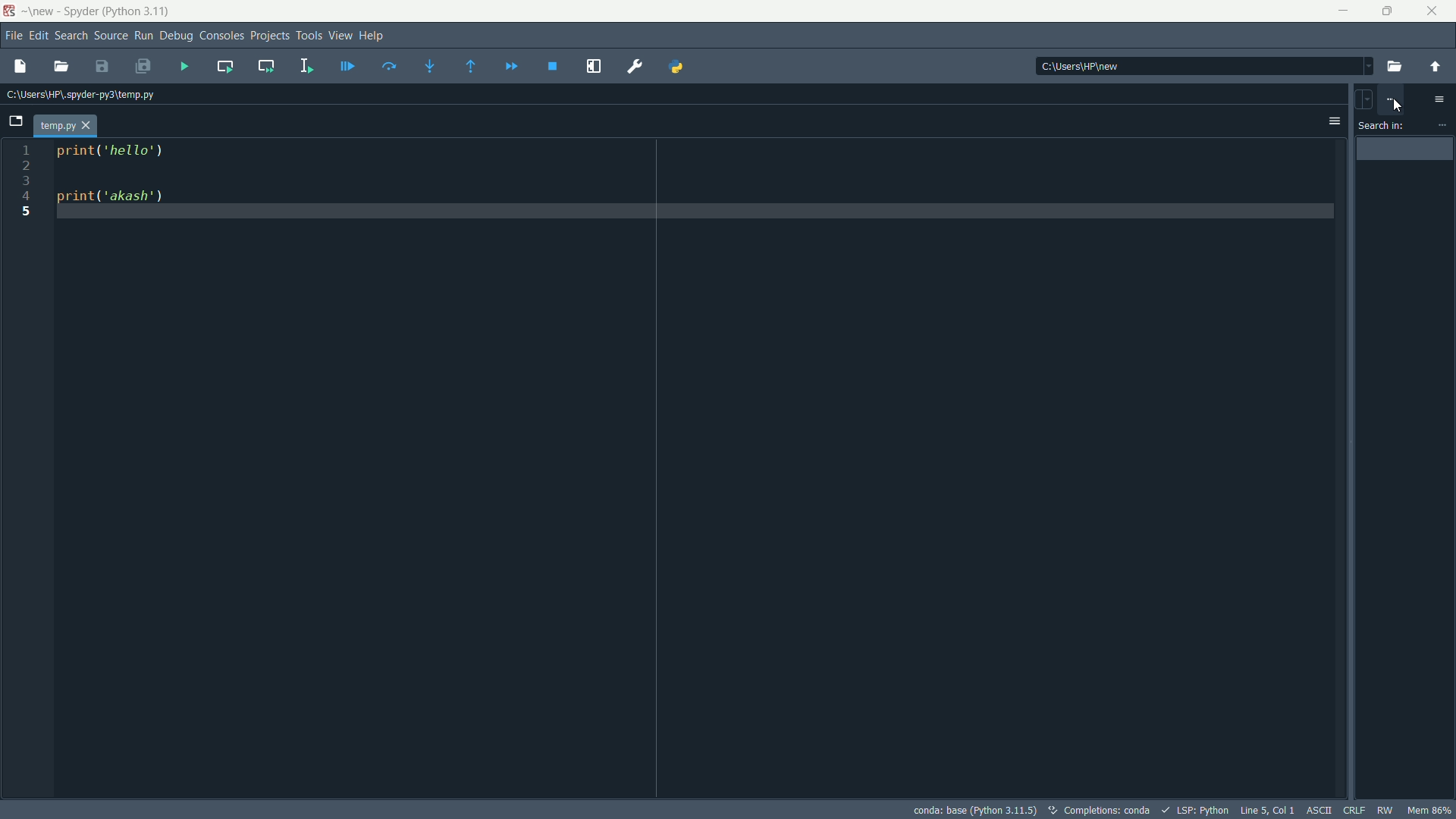 The image size is (1456, 819). Describe the element at coordinates (1436, 67) in the screenshot. I see `parent directory` at that location.